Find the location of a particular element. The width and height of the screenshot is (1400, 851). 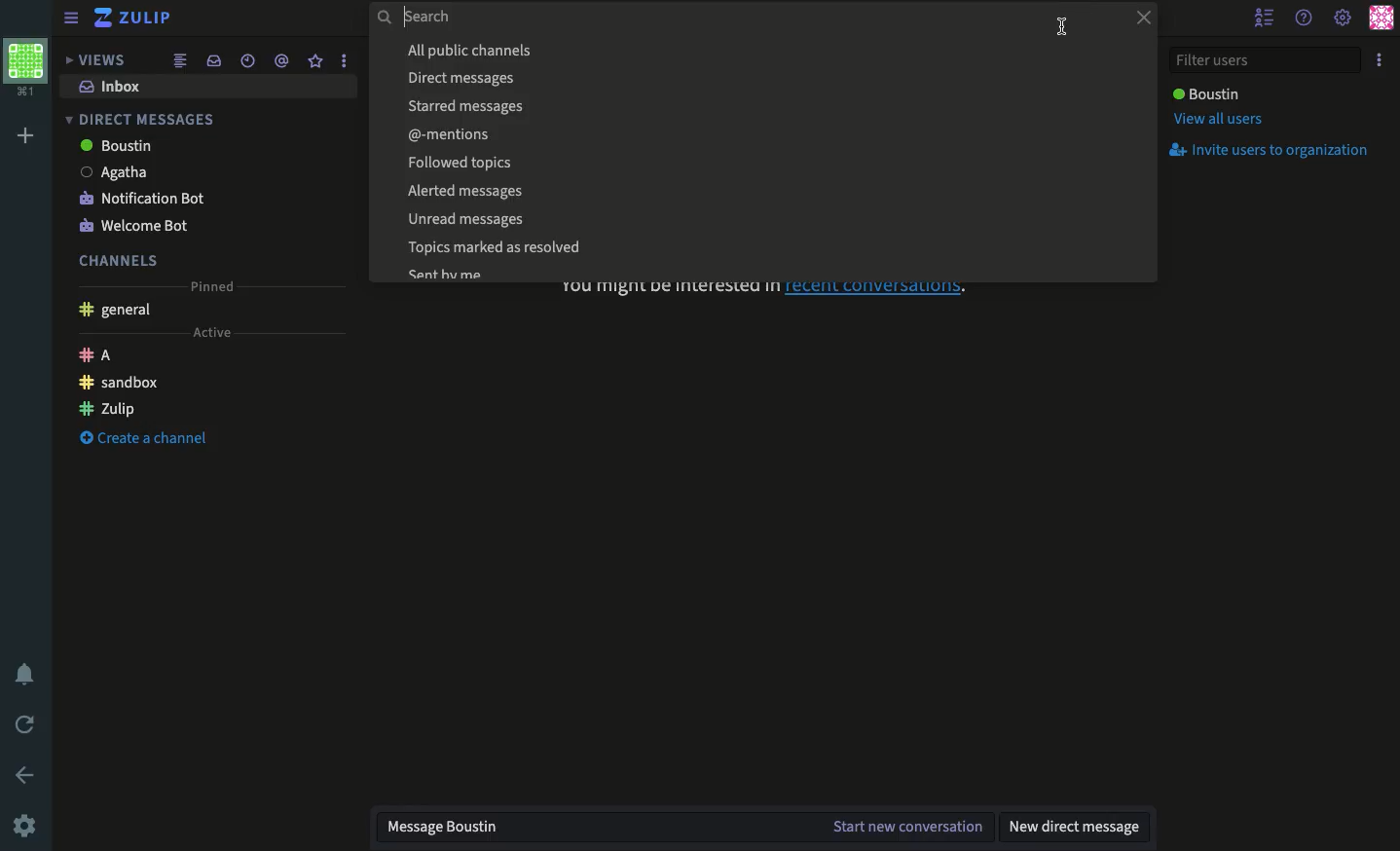

General is located at coordinates (117, 311).